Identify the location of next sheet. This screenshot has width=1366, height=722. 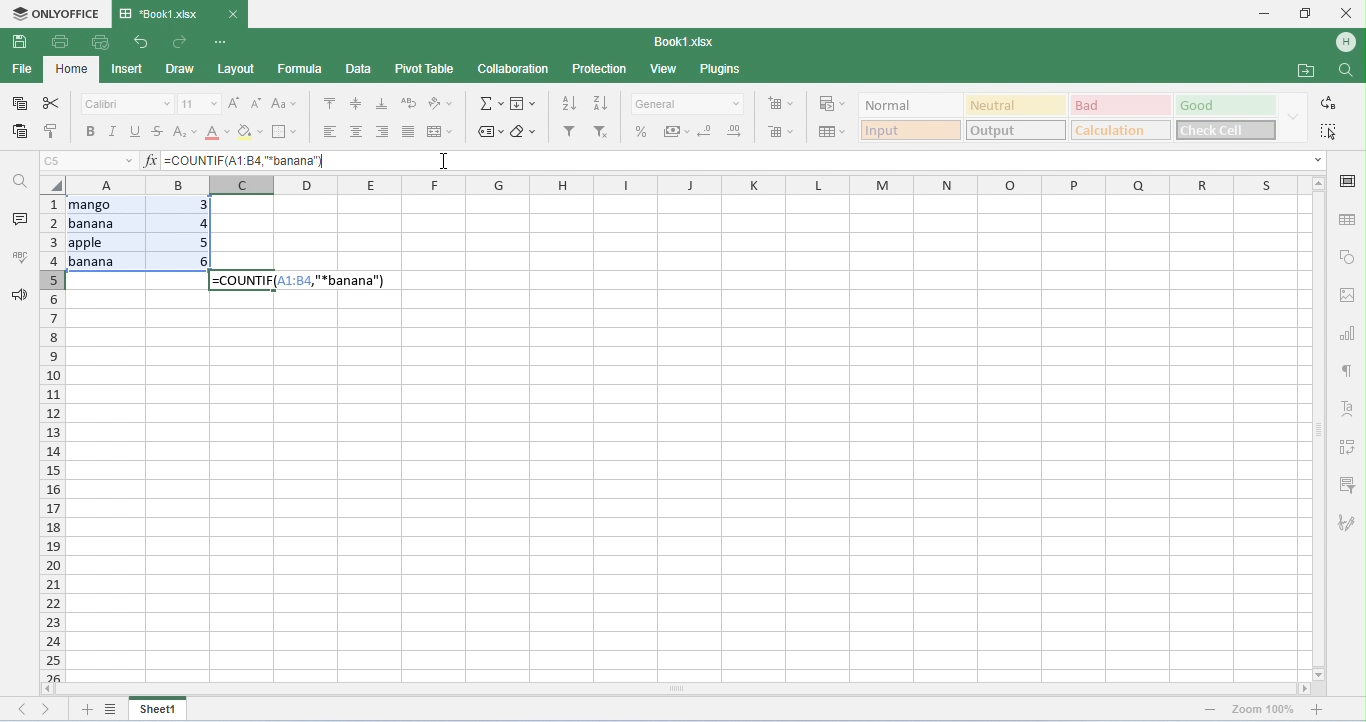
(48, 709).